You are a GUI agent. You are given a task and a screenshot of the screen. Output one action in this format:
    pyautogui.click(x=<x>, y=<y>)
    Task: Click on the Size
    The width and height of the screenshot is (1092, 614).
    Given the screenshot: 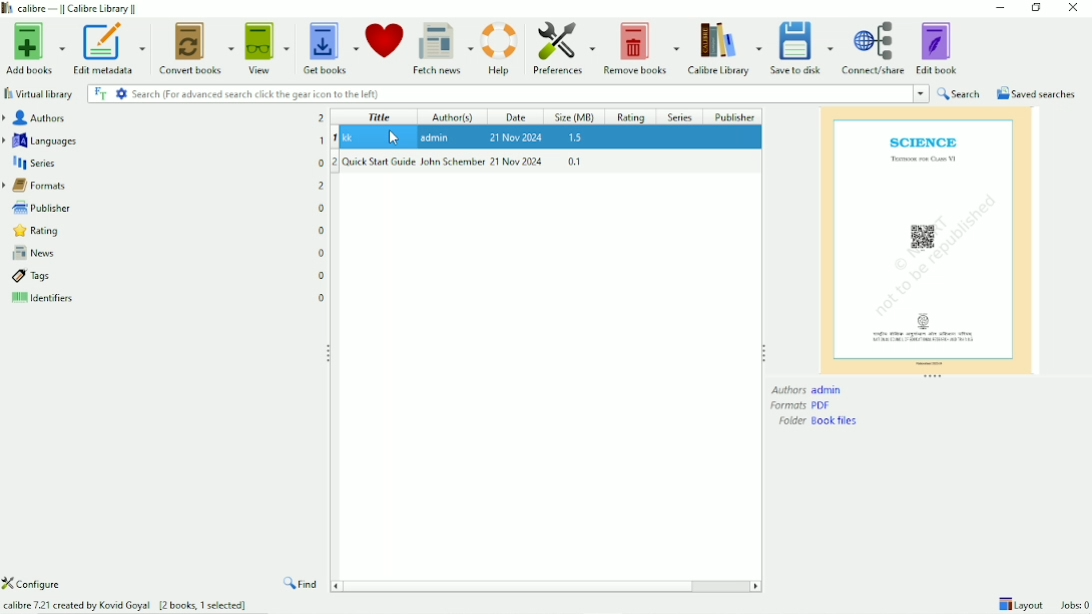 What is the action you would take?
    pyautogui.click(x=577, y=117)
    